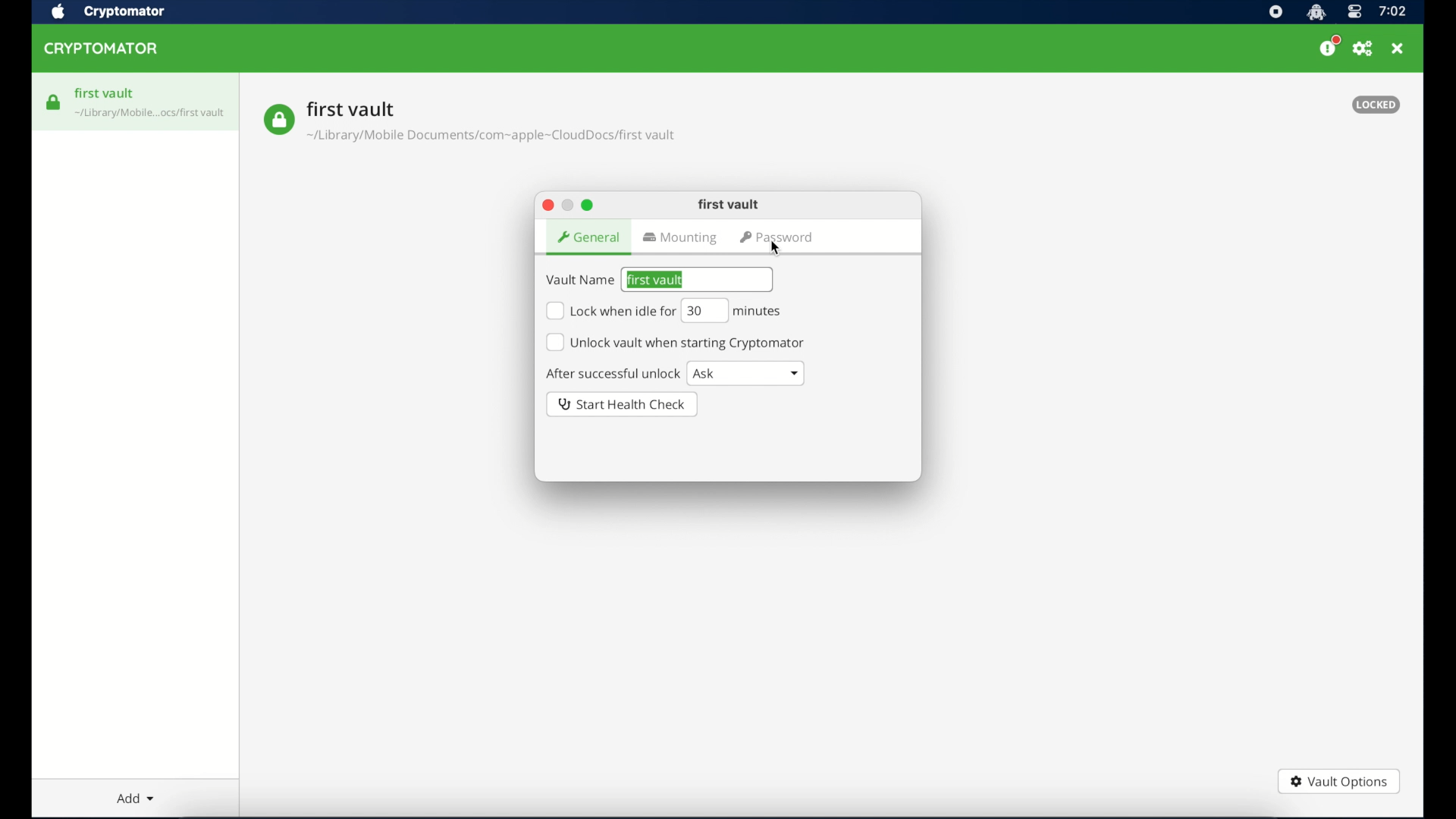  What do you see at coordinates (675, 342) in the screenshot?
I see `unlock vault when starting cryptomator` at bounding box center [675, 342].